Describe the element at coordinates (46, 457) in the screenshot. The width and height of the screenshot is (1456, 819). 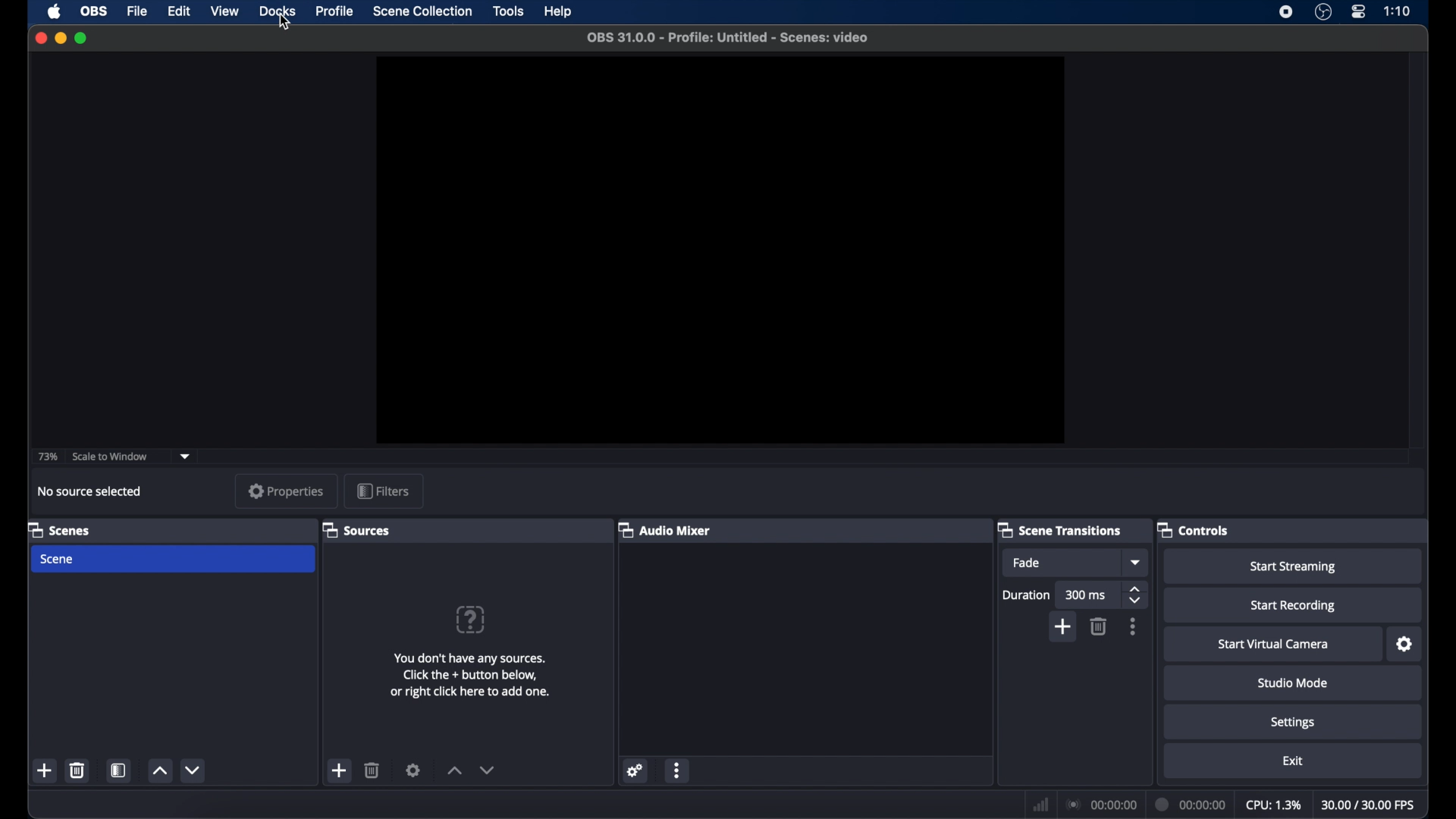
I see `73%` at that location.